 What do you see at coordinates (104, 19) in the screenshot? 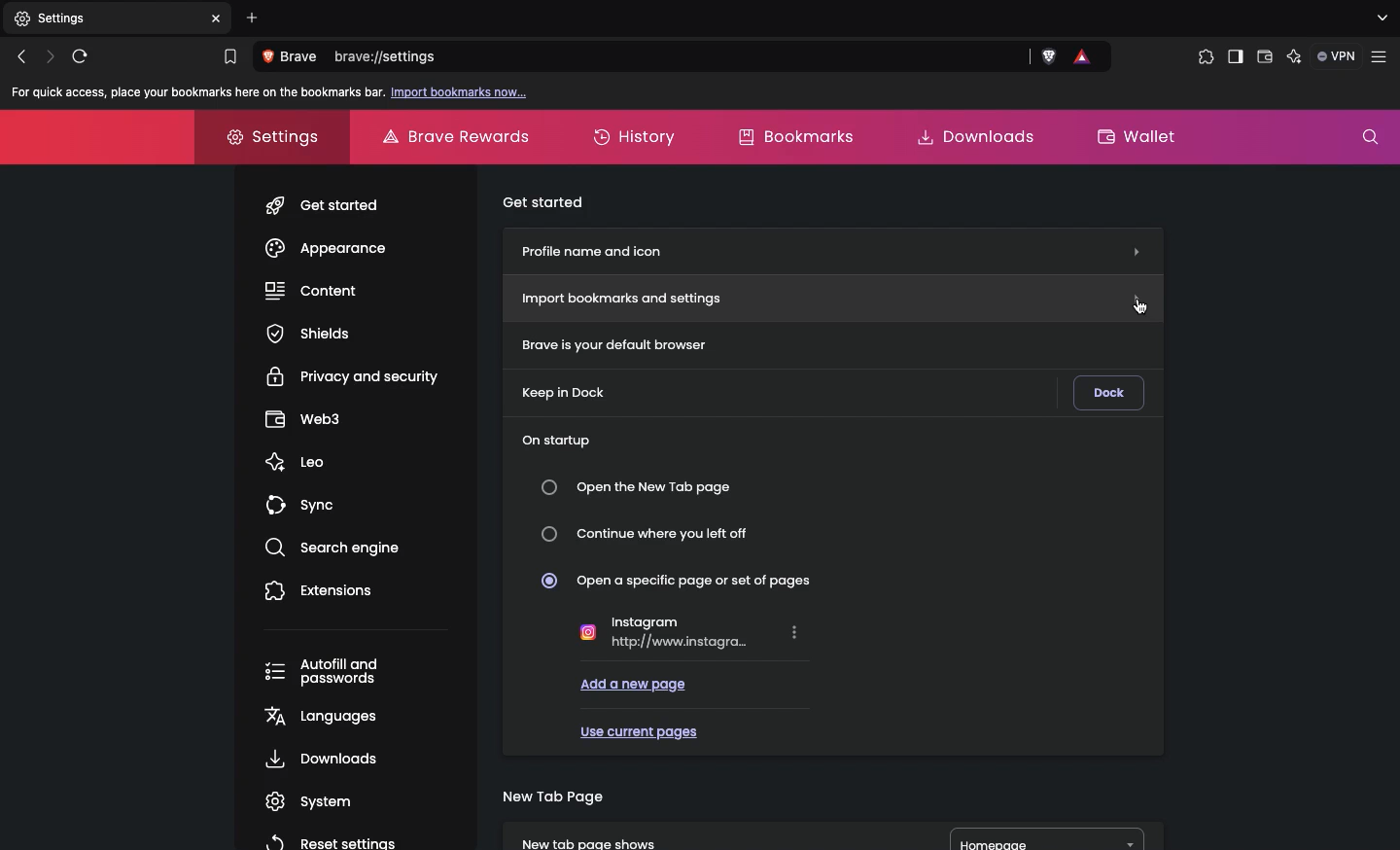
I see `Settings` at bounding box center [104, 19].